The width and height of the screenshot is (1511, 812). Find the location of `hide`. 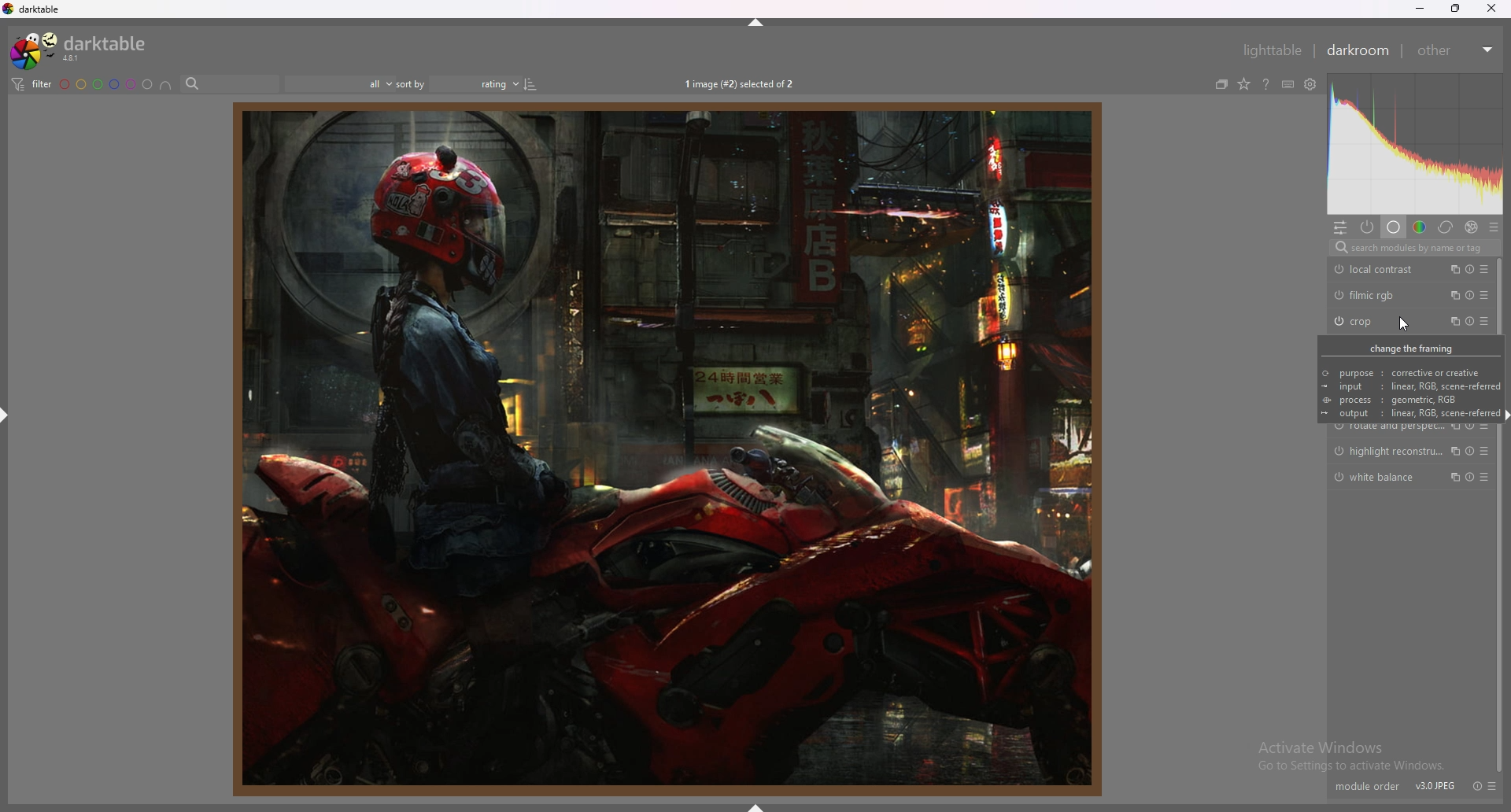

hide is located at coordinates (752, 23).